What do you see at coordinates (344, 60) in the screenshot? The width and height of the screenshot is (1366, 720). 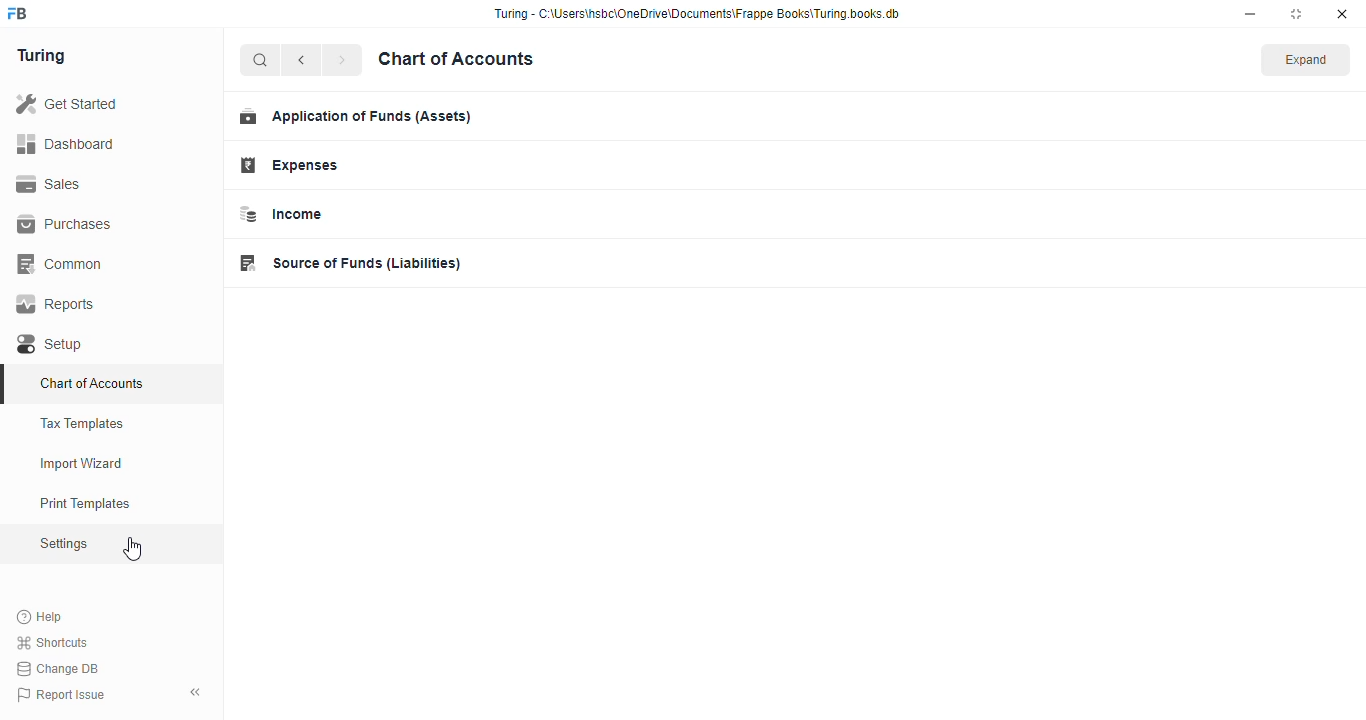 I see `next` at bounding box center [344, 60].